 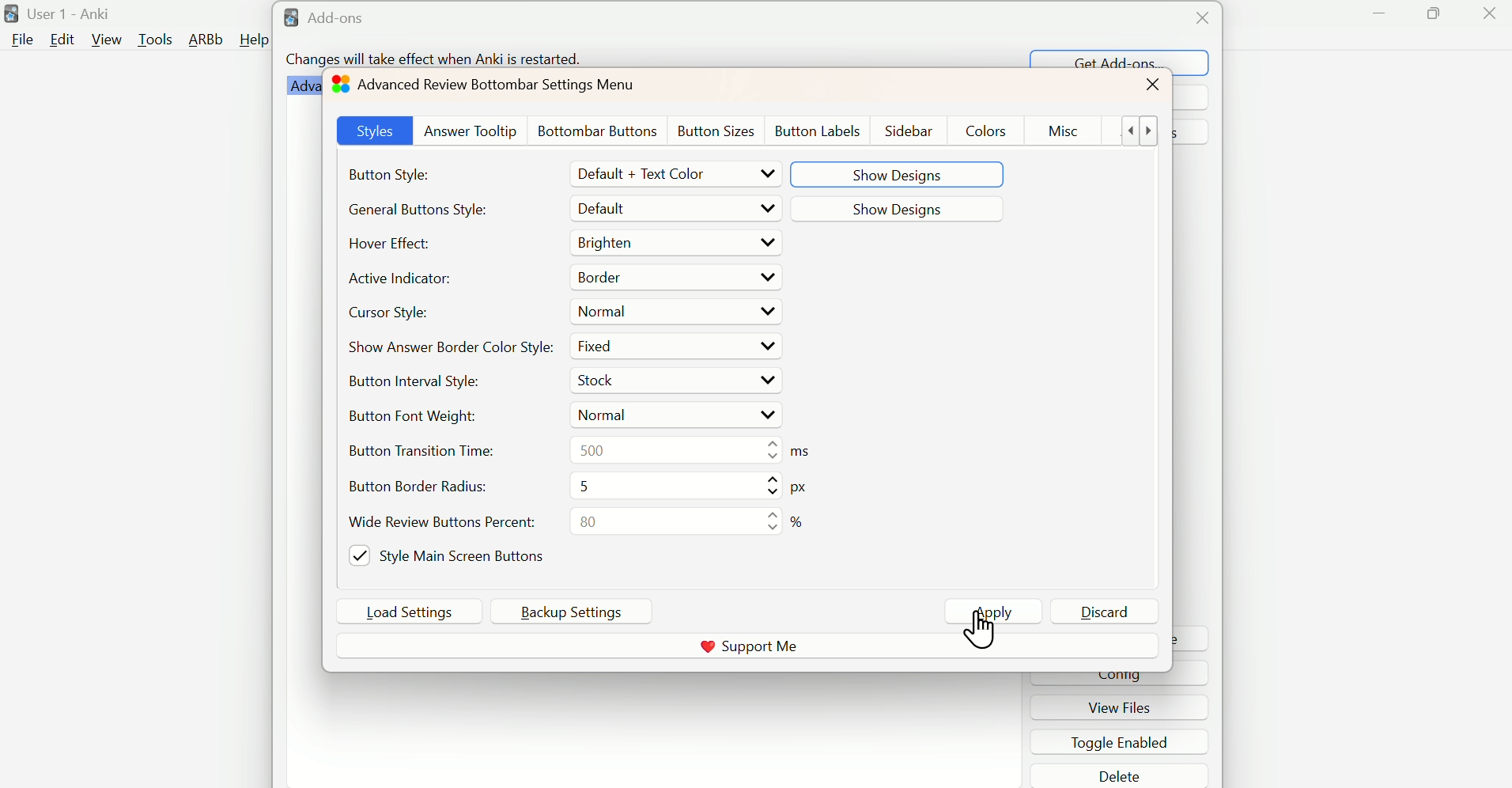 What do you see at coordinates (572, 612) in the screenshot?
I see `Backup Settings` at bounding box center [572, 612].